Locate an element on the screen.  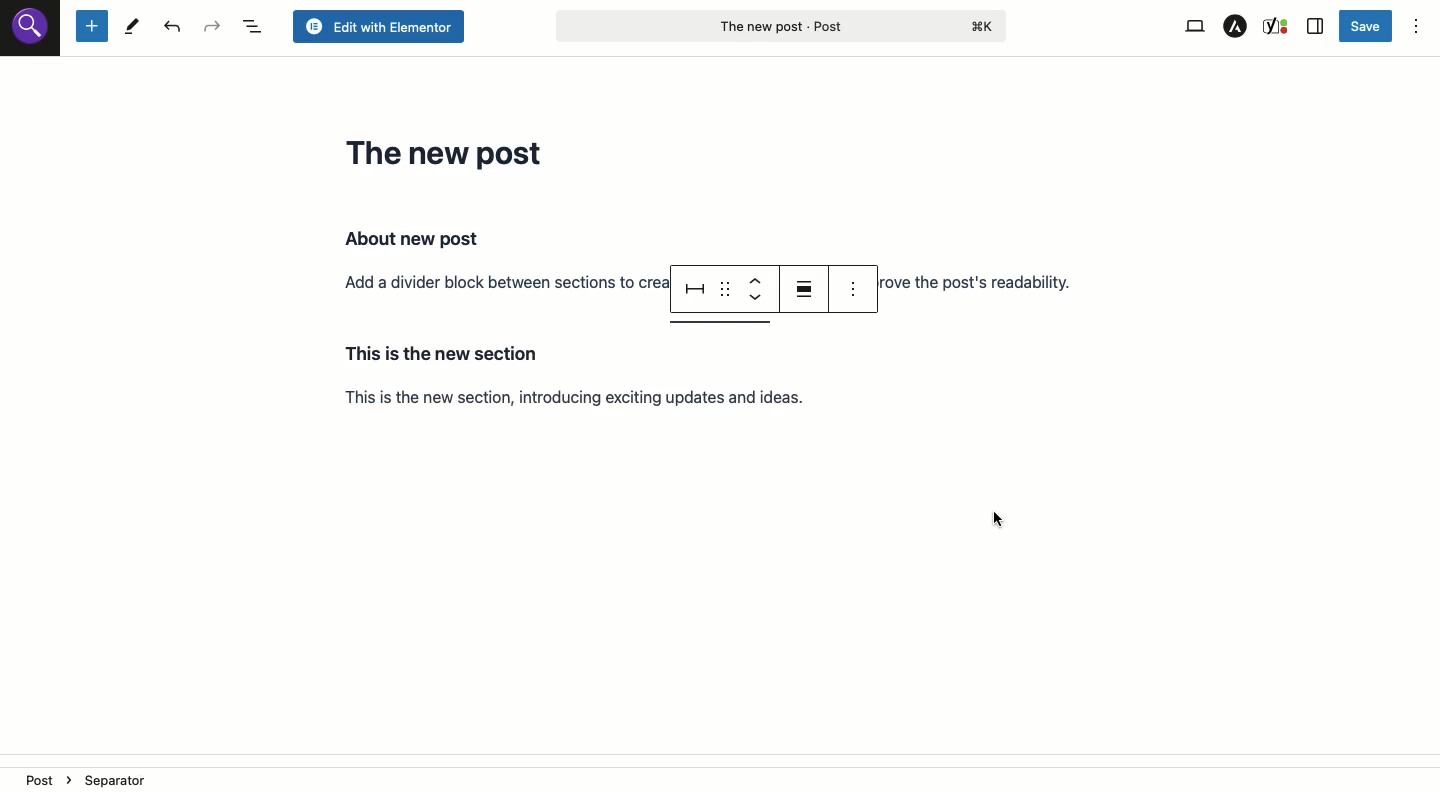
Section 1 is located at coordinates (503, 259).